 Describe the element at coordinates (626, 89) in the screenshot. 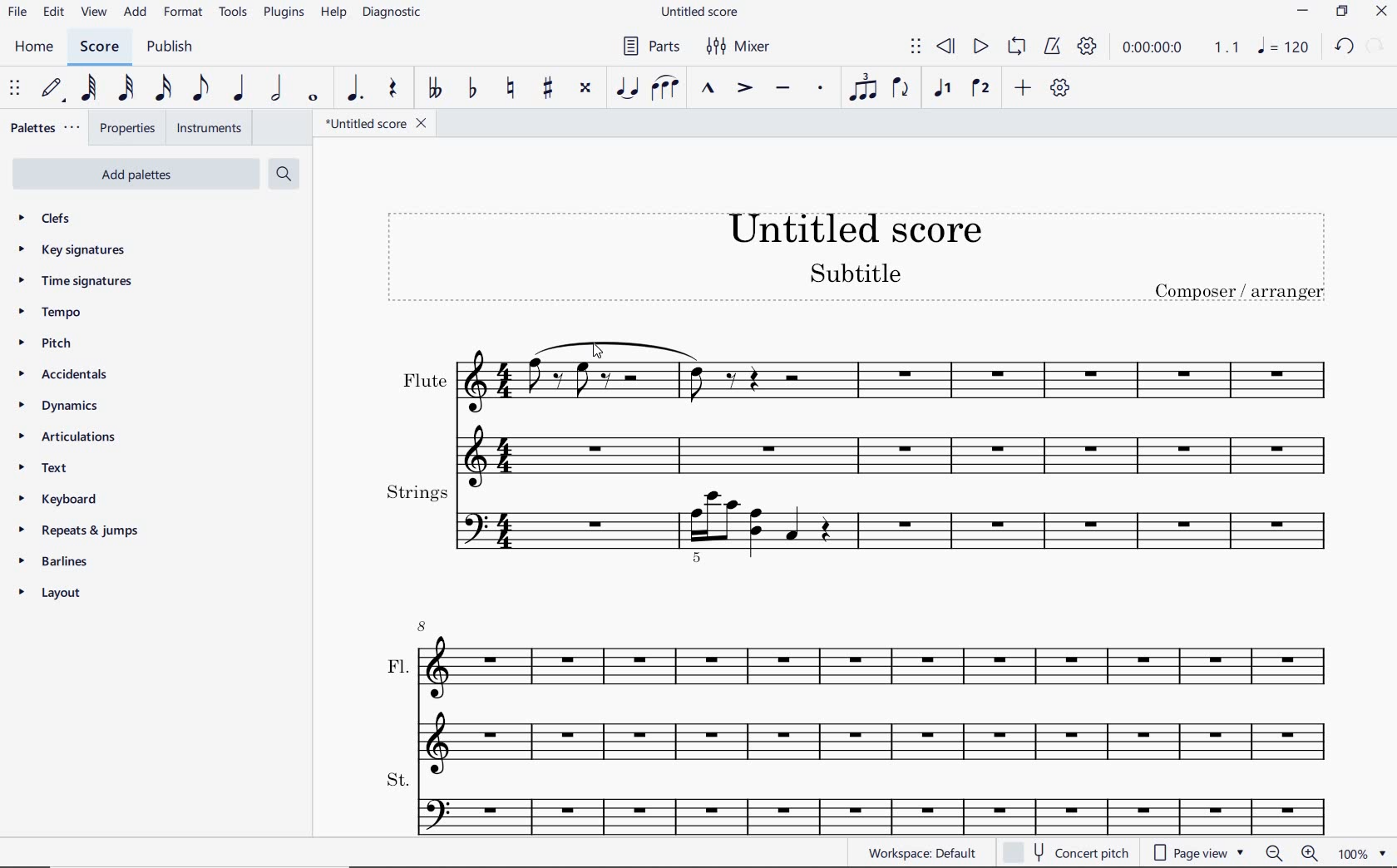

I see `TIE` at that location.